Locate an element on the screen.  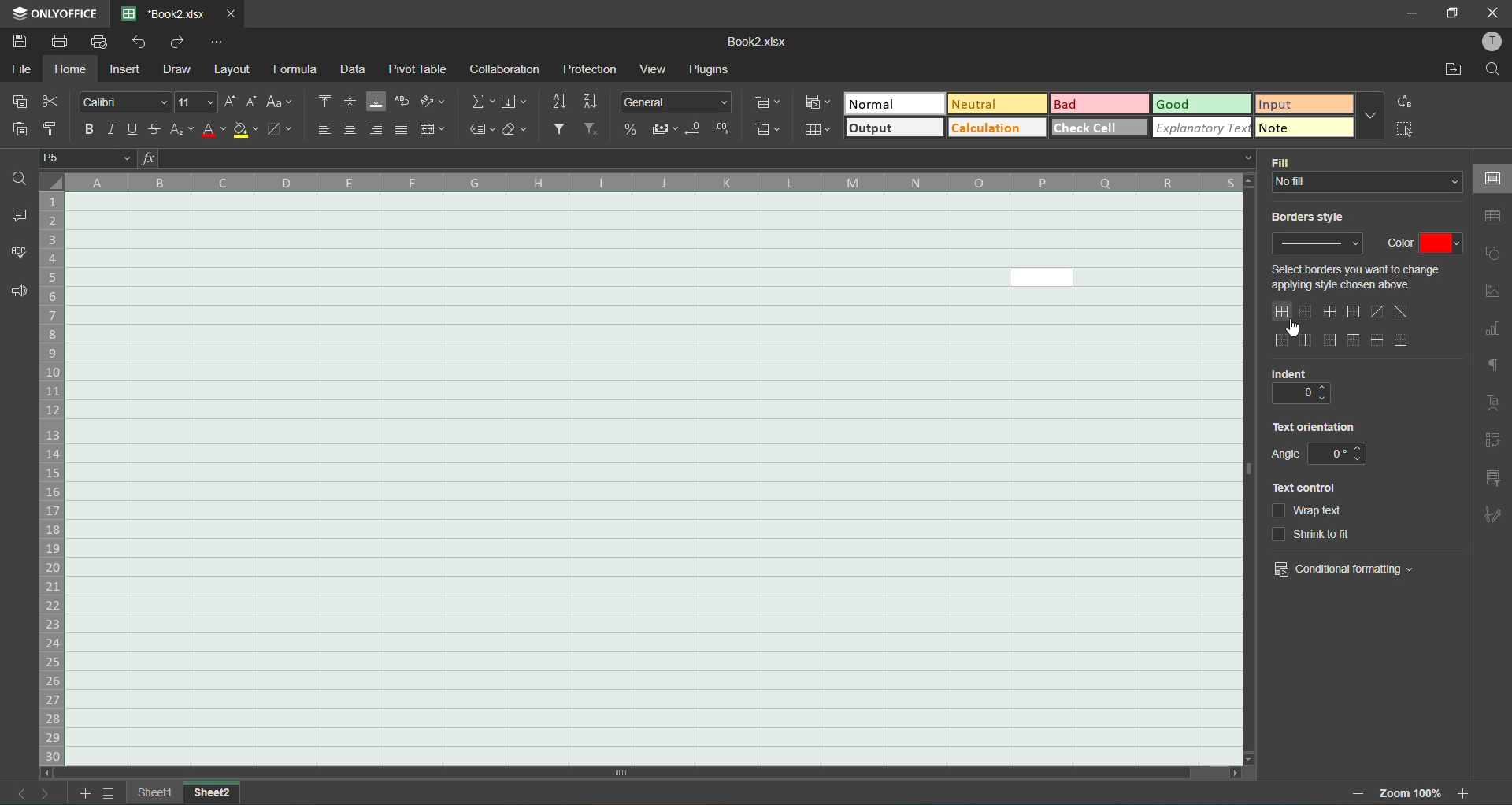
align left is located at coordinates (322, 132).